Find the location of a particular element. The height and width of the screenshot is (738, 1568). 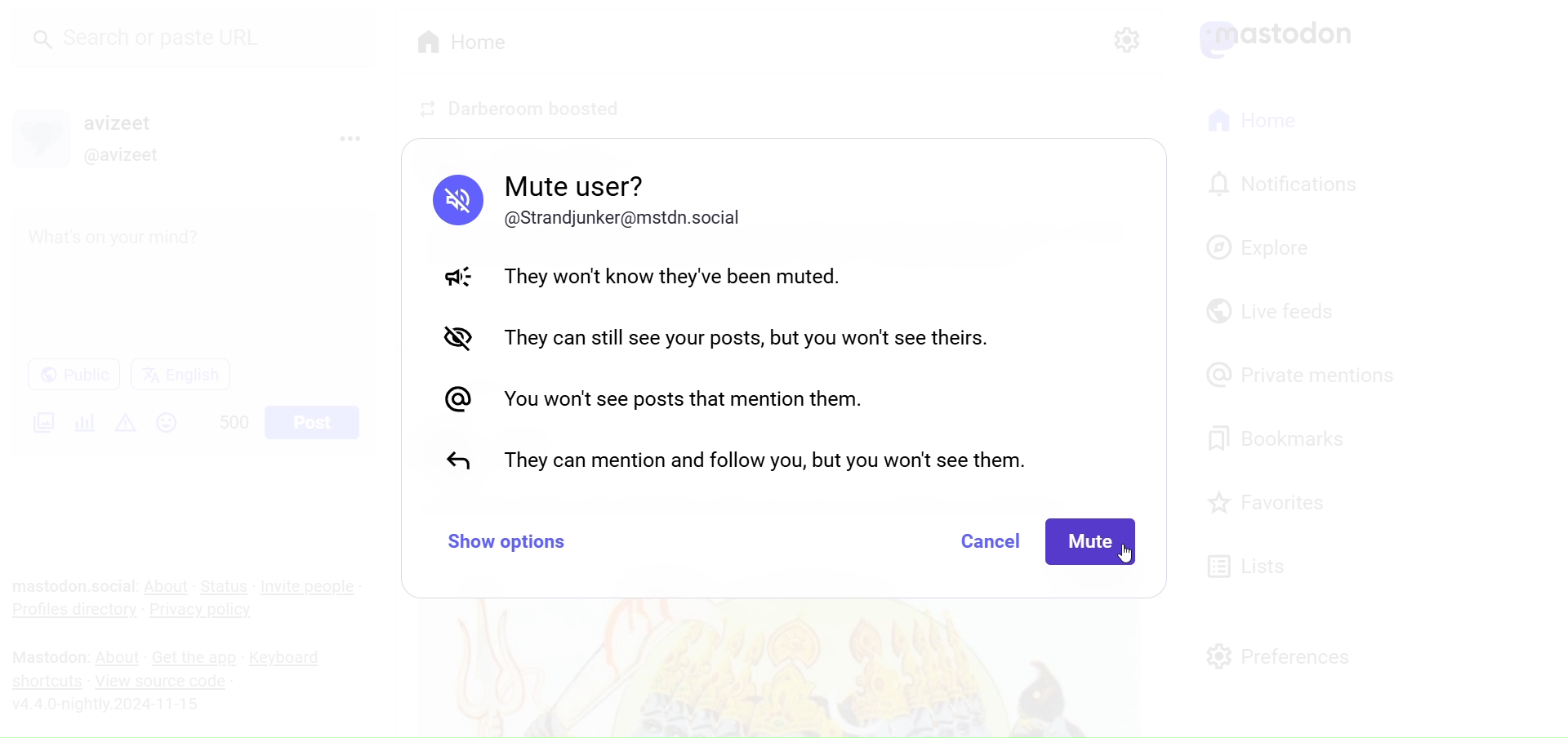

Show Option is located at coordinates (509, 537).